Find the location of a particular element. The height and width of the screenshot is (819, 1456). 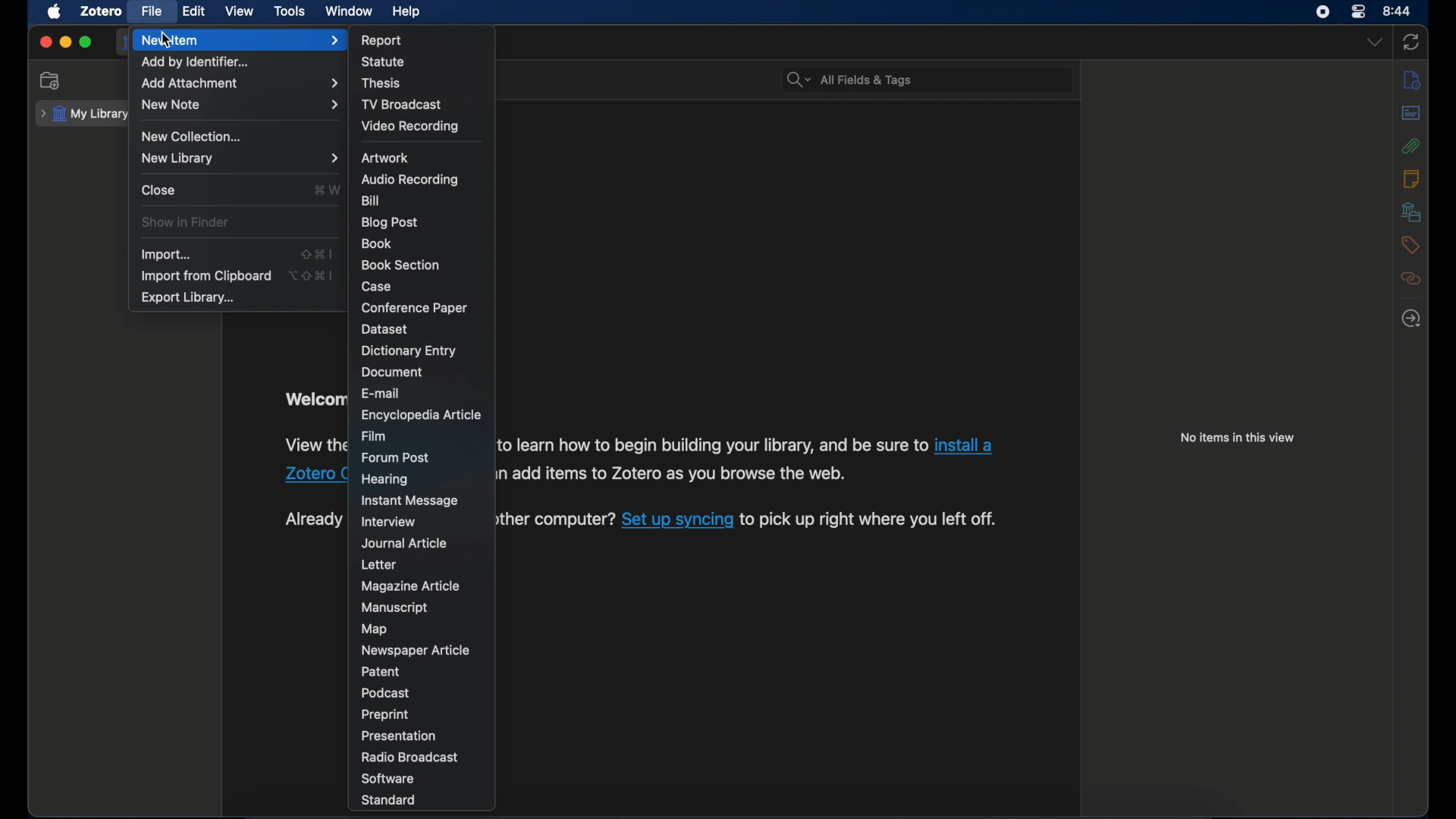

sync is located at coordinates (1414, 41).